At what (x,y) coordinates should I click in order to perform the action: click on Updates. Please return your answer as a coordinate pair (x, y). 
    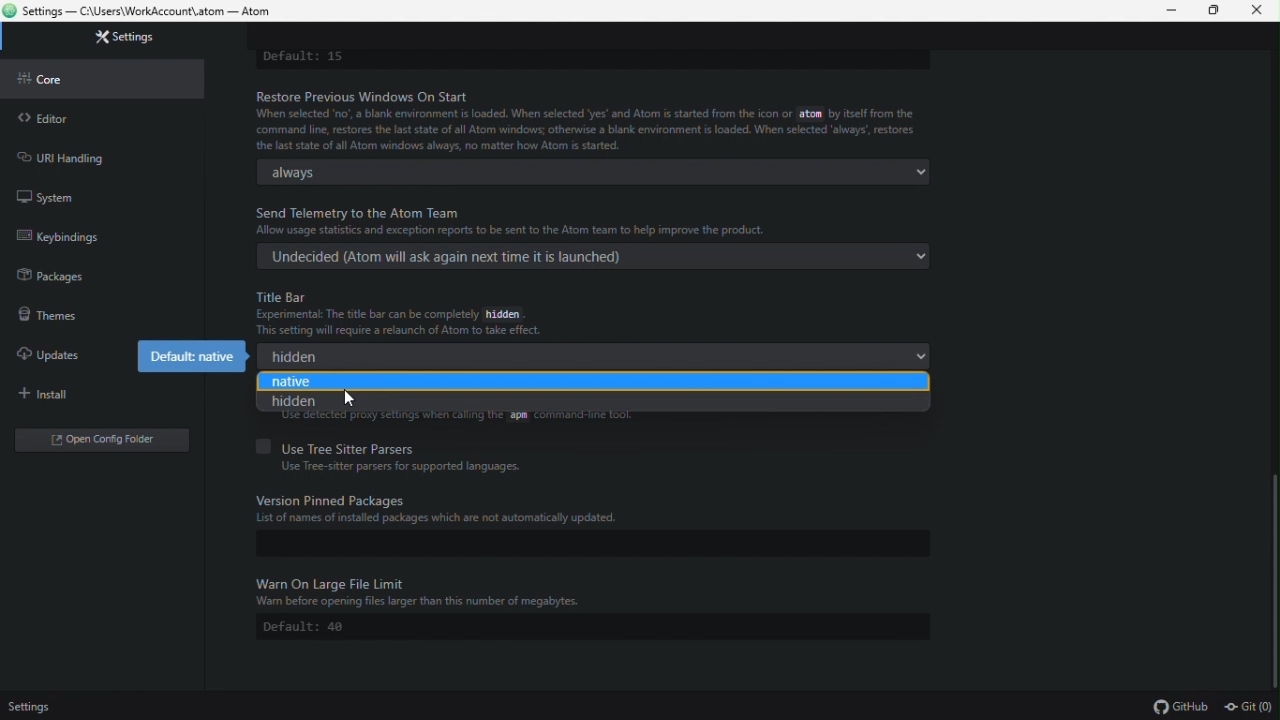
    Looking at the image, I should click on (62, 348).